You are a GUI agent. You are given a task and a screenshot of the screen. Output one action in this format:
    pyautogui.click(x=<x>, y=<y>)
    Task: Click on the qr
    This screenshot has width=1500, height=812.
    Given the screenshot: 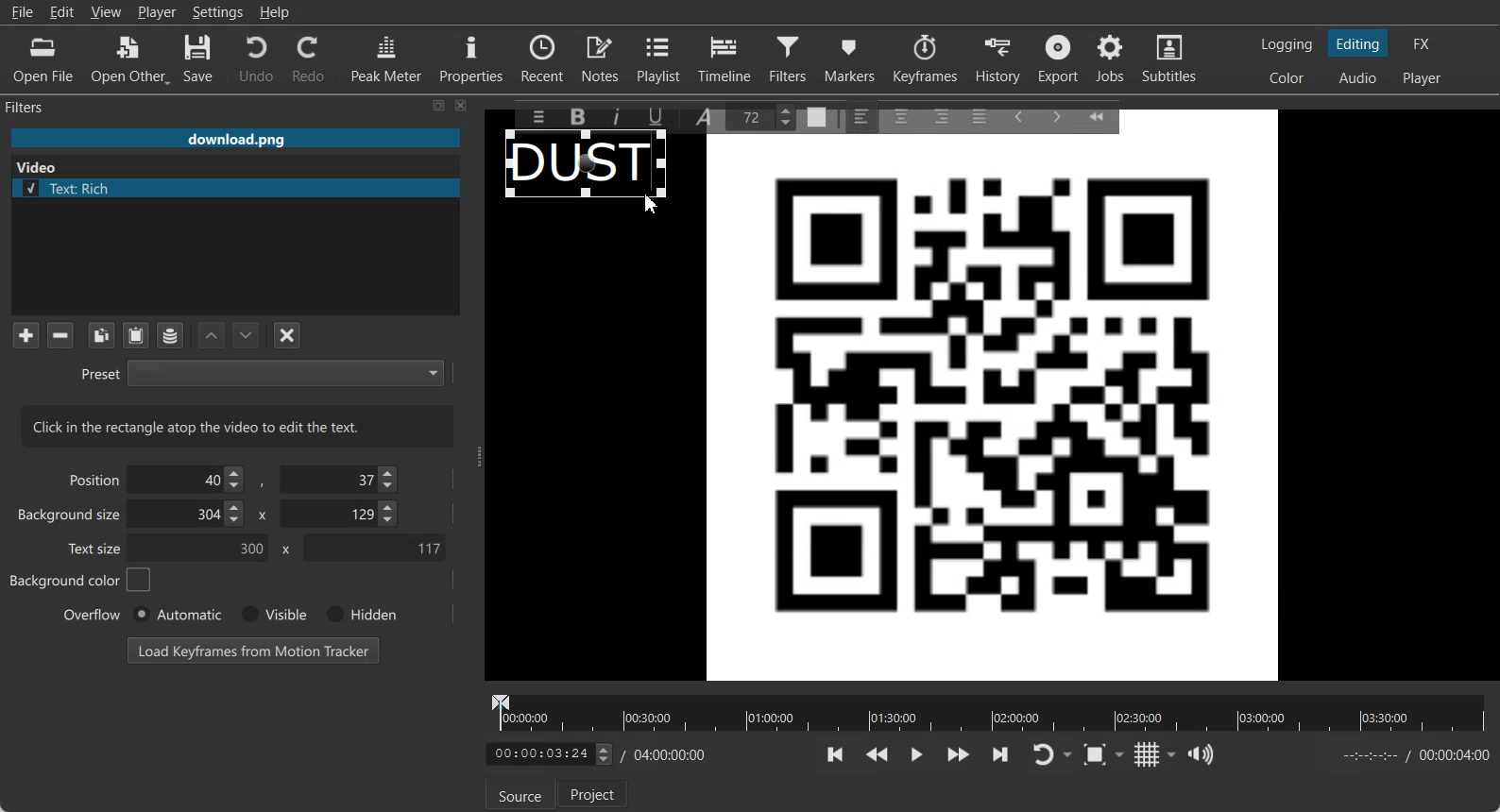 What is the action you would take?
    pyautogui.click(x=993, y=411)
    